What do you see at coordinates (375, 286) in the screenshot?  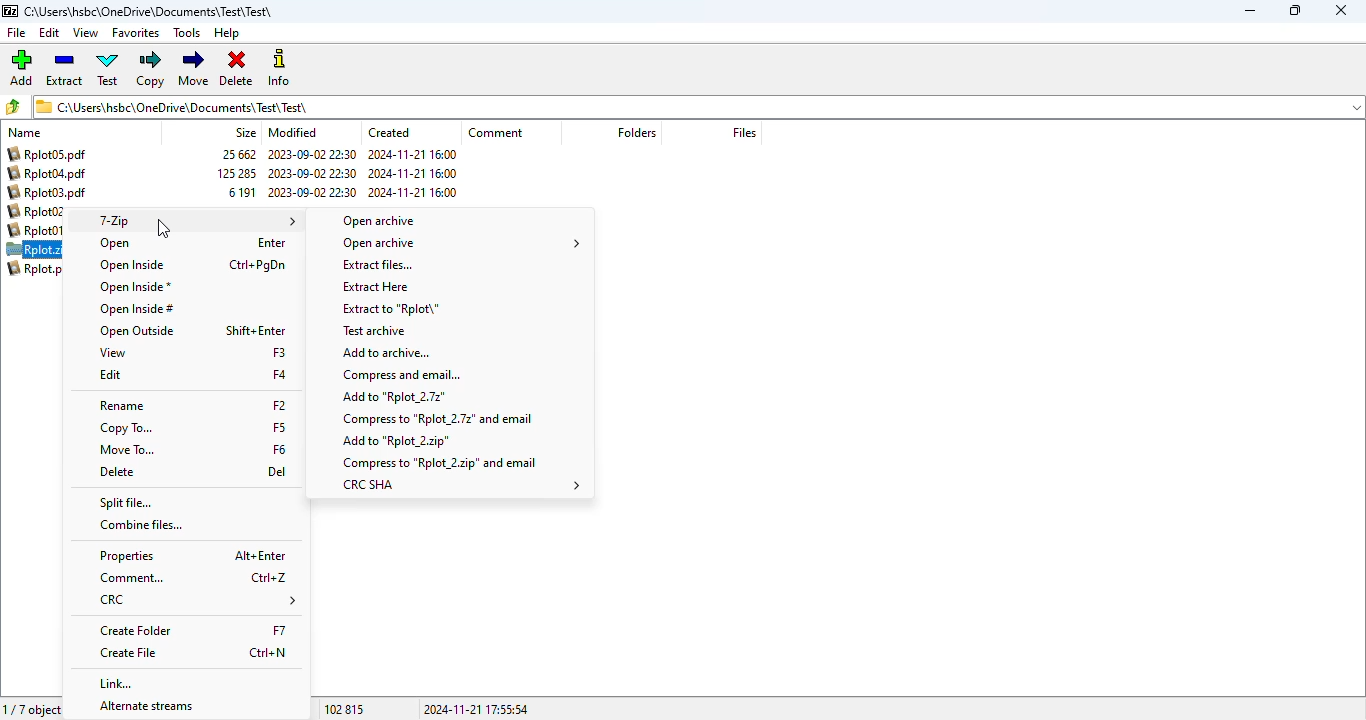 I see `extract here` at bounding box center [375, 286].